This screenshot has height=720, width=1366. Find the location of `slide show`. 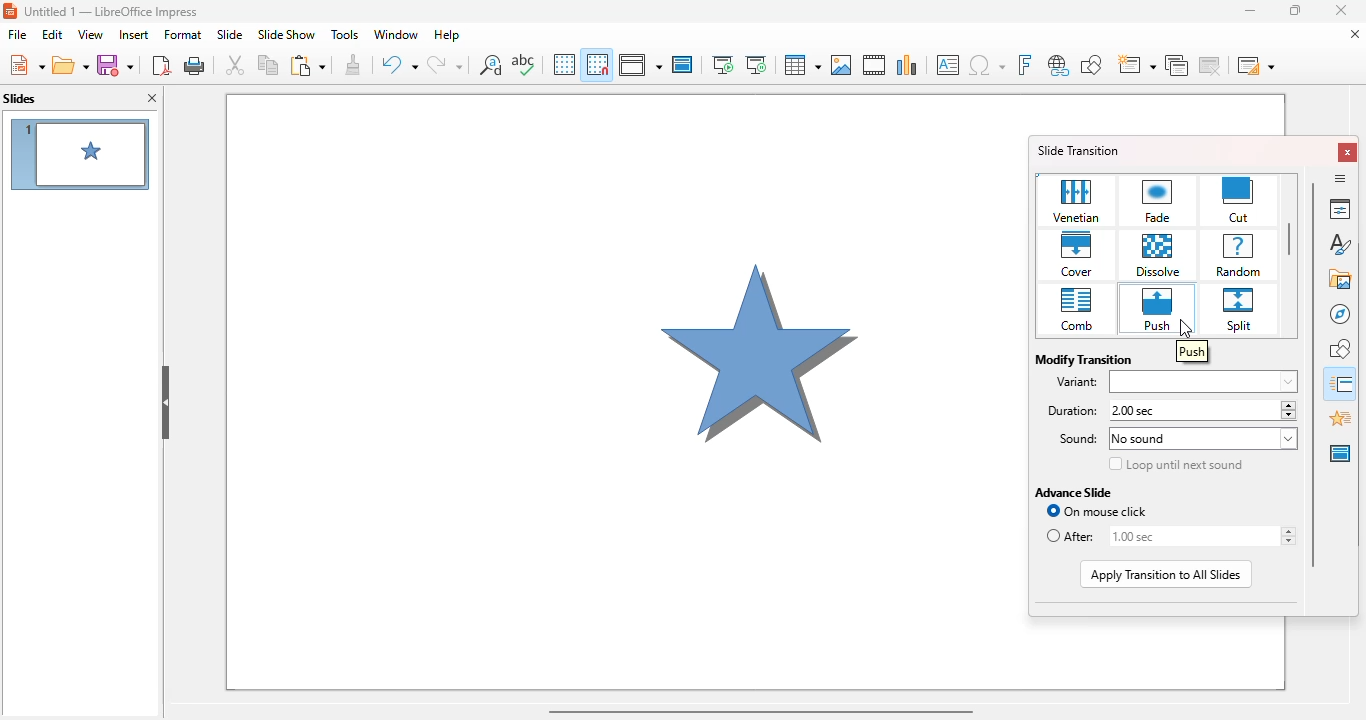

slide show is located at coordinates (287, 34).